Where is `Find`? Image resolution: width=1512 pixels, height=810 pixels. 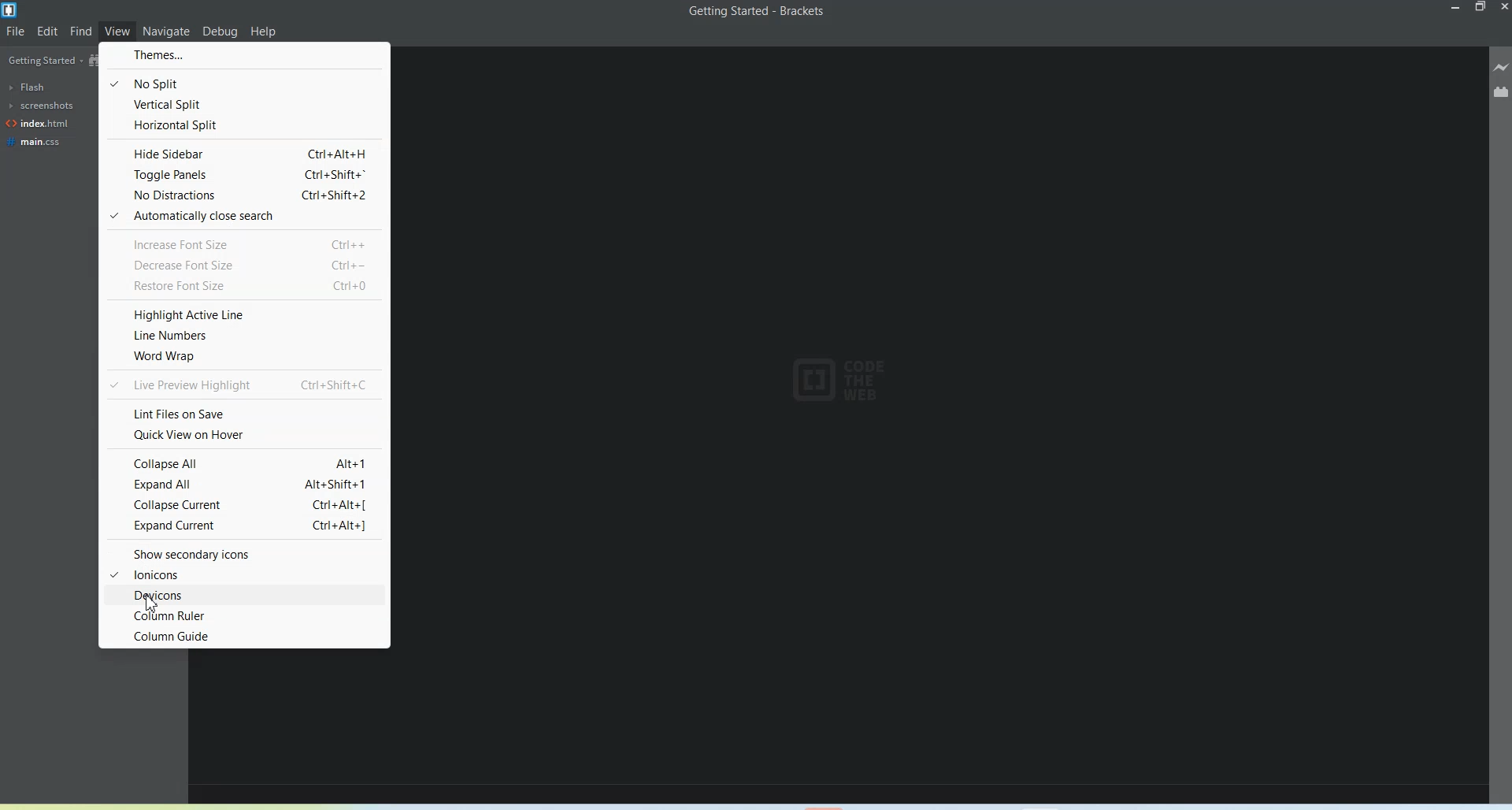
Find is located at coordinates (81, 31).